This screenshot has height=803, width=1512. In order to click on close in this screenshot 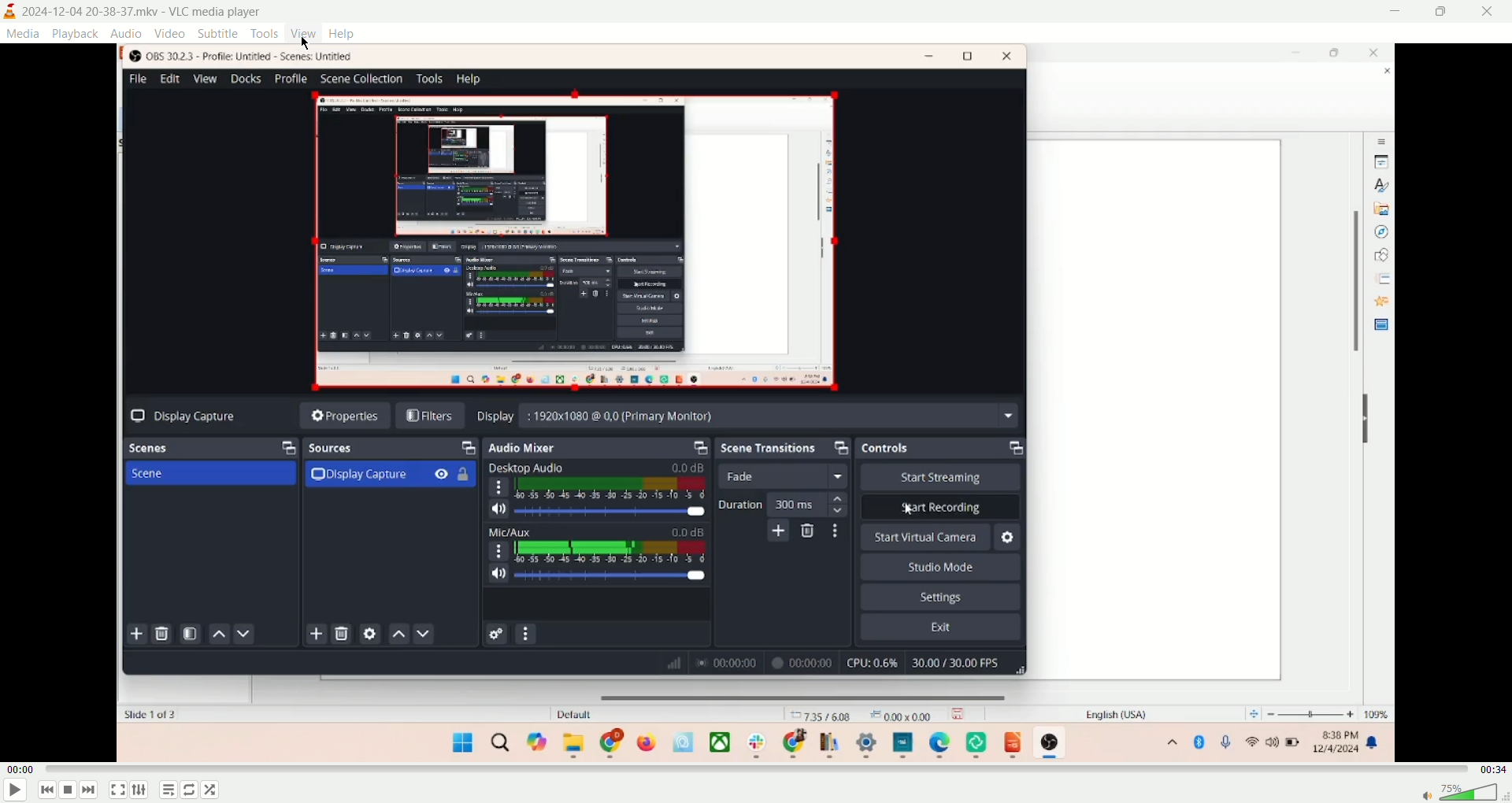, I will do `click(1490, 11)`.